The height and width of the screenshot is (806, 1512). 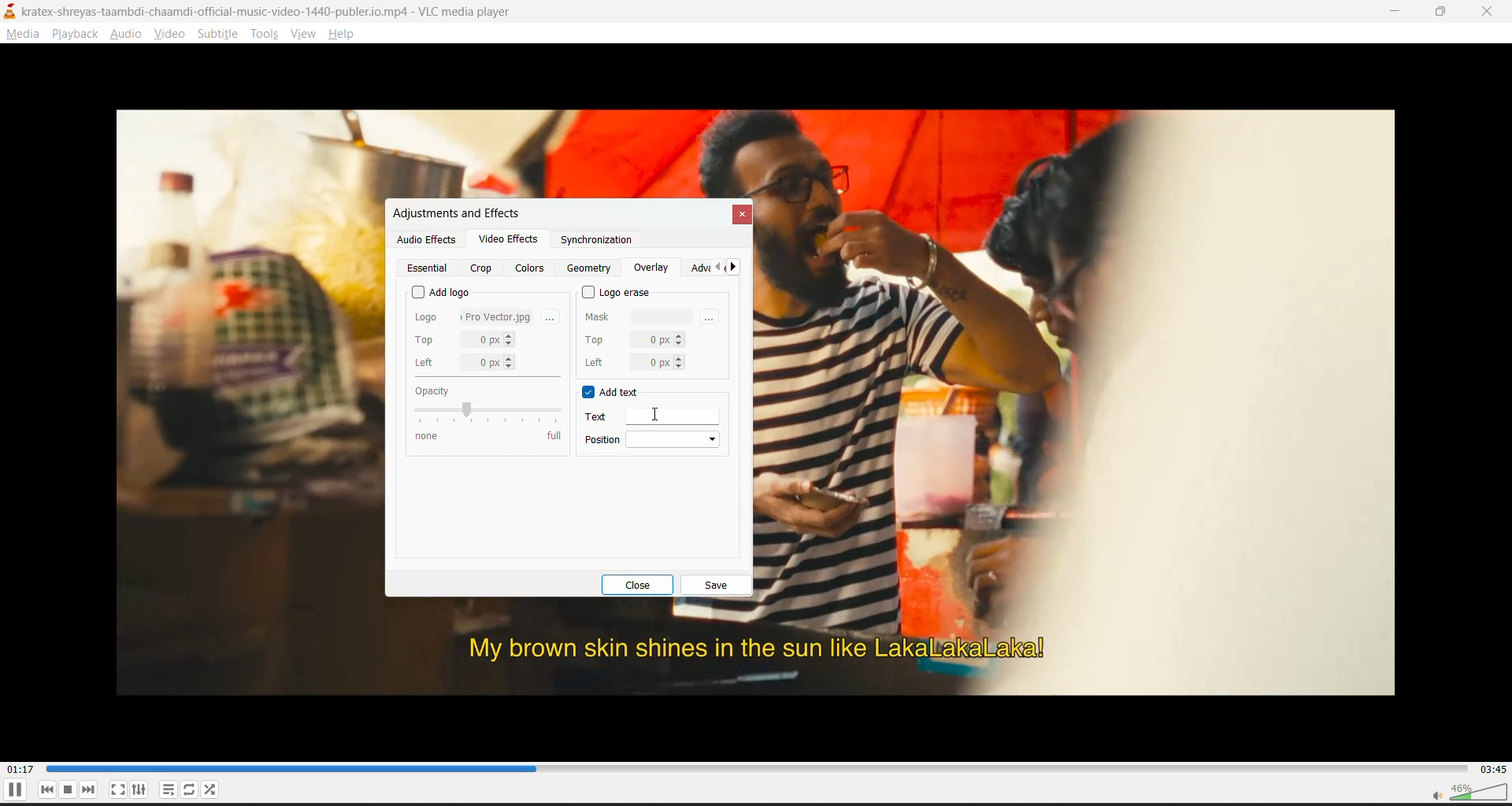 What do you see at coordinates (644, 585) in the screenshot?
I see `close` at bounding box center [644, 585].